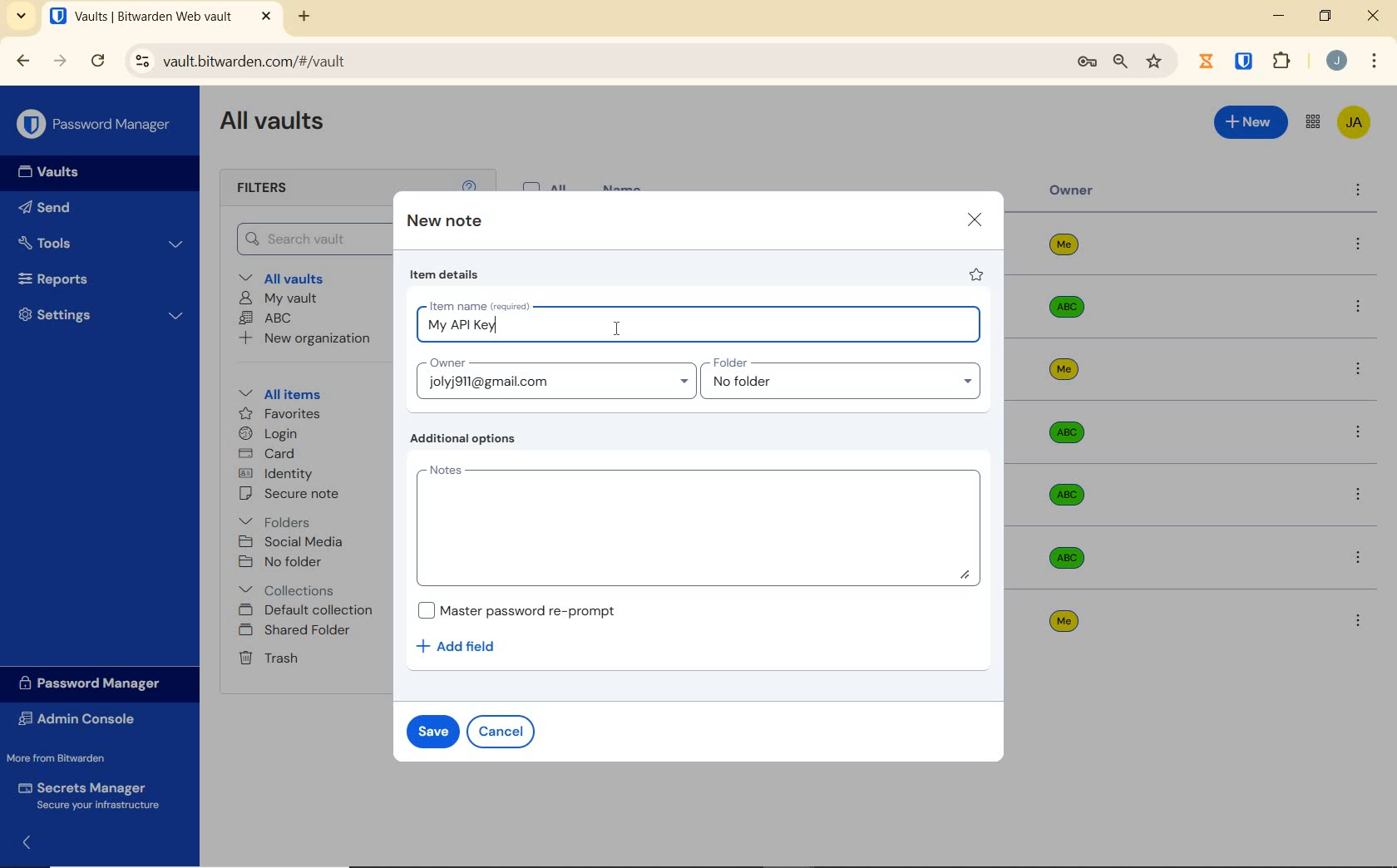 The width and height of the screenshot is (1397, 868). I want to click on RESTORE, so click(1325, 18).